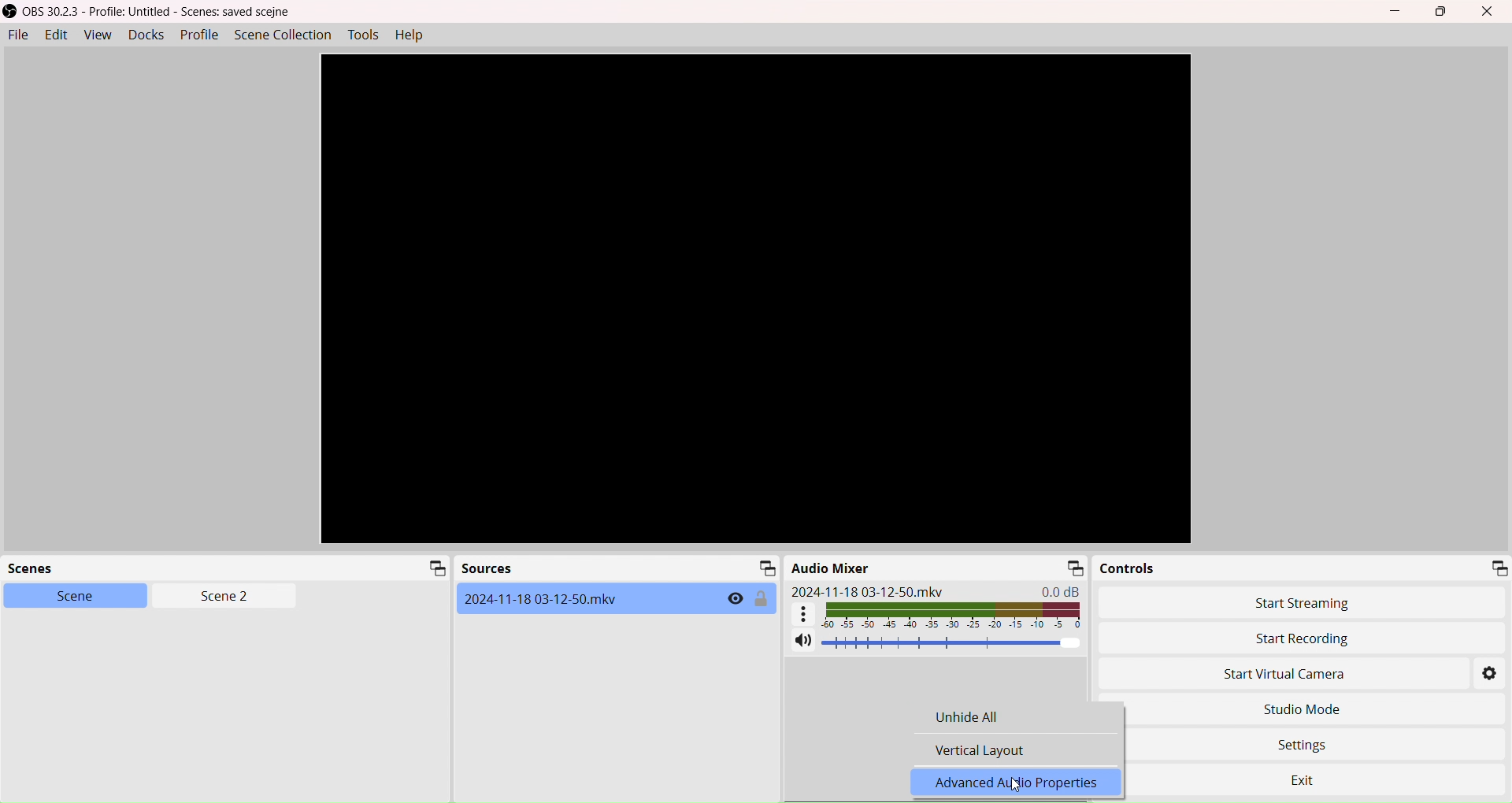 The width and height of the screenshot is (1512, 803). Describe the element at coordinates (980, 749) in the screenshot. I see `Vertical Layout` at that location.